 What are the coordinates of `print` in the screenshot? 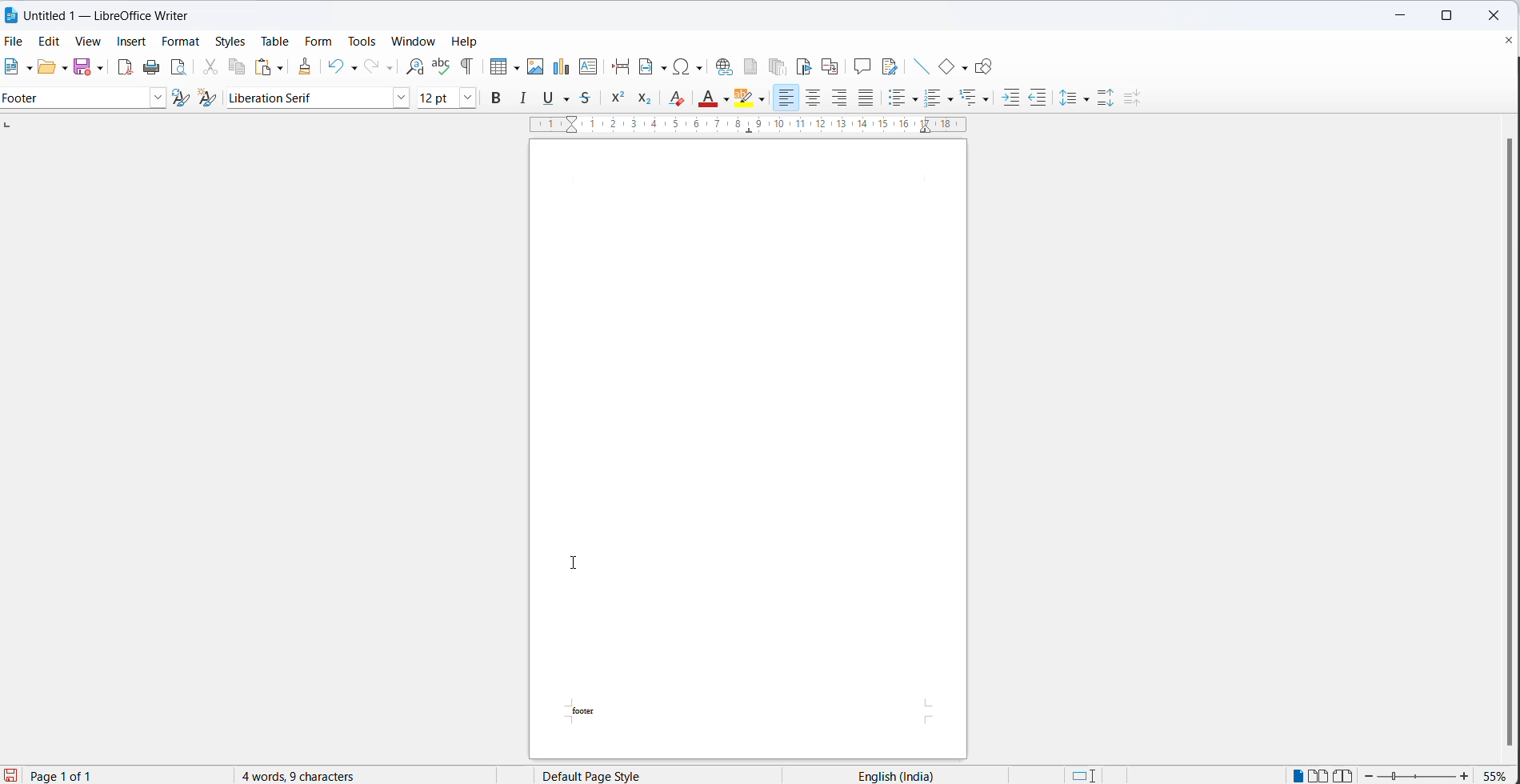 It's located at (151, 66).